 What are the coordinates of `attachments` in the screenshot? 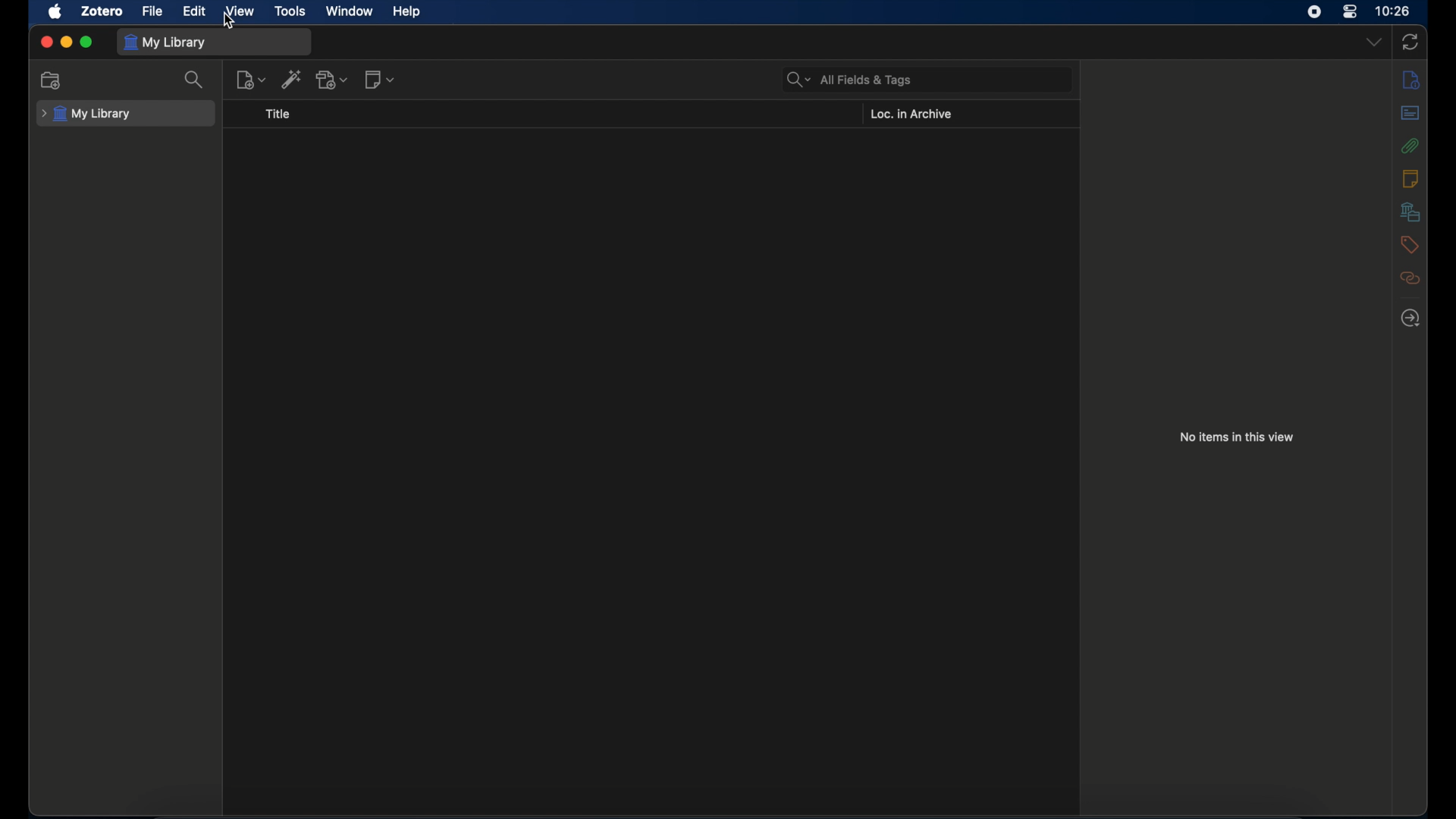 It's located at (1412, 146).